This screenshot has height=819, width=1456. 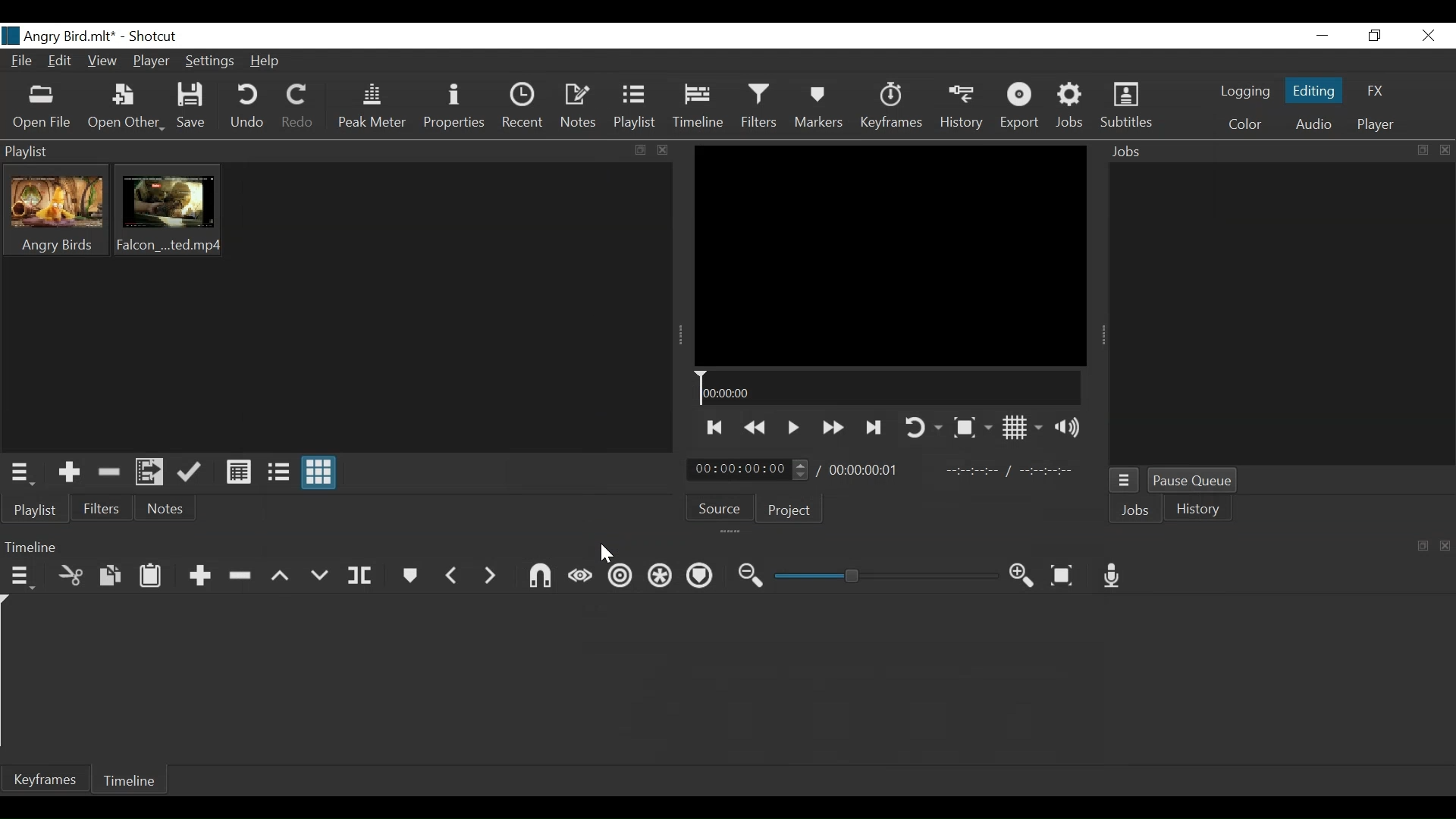 I want to click on Notes, so click(x=166, y=507).